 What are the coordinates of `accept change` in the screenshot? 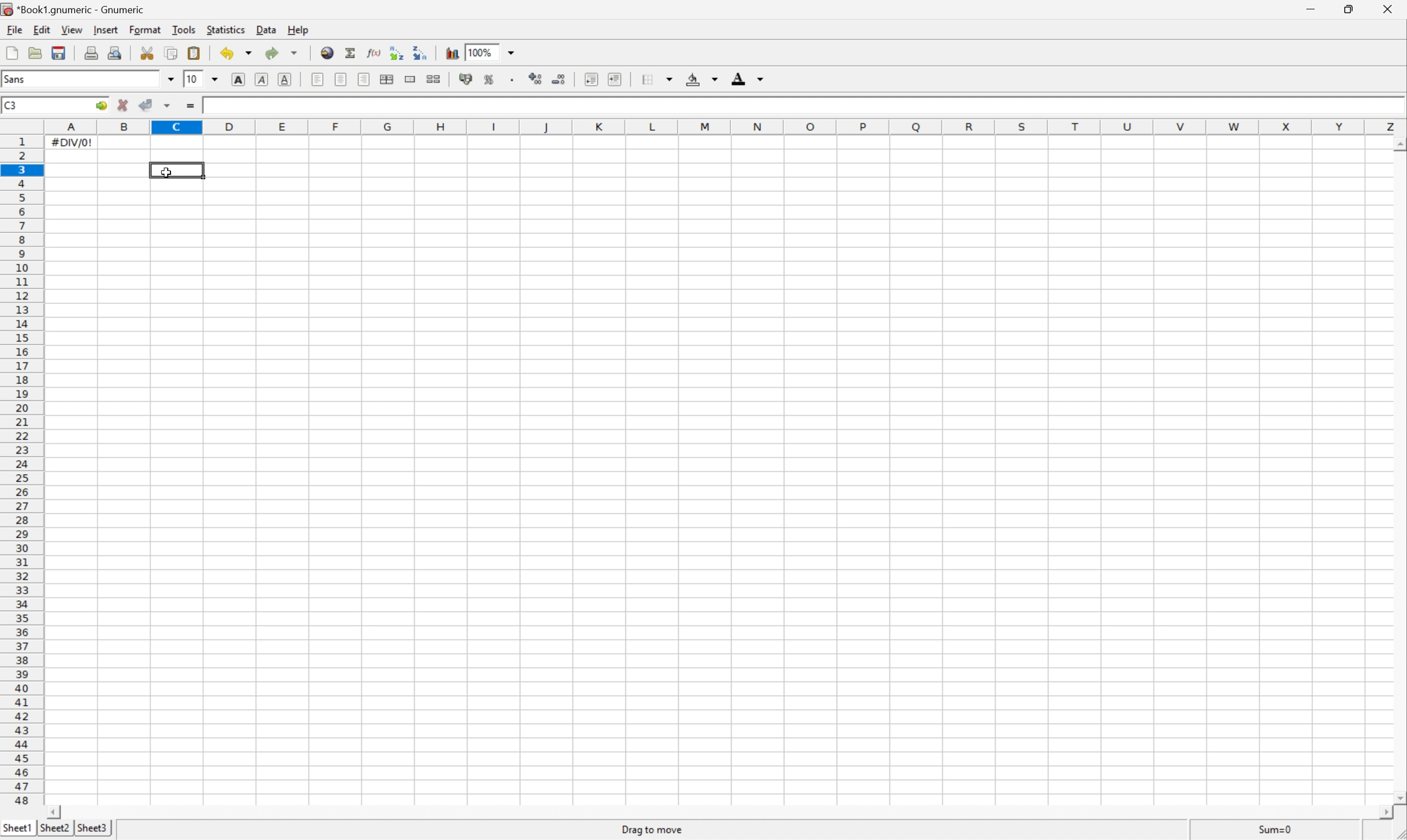 It's located at (146, 104).